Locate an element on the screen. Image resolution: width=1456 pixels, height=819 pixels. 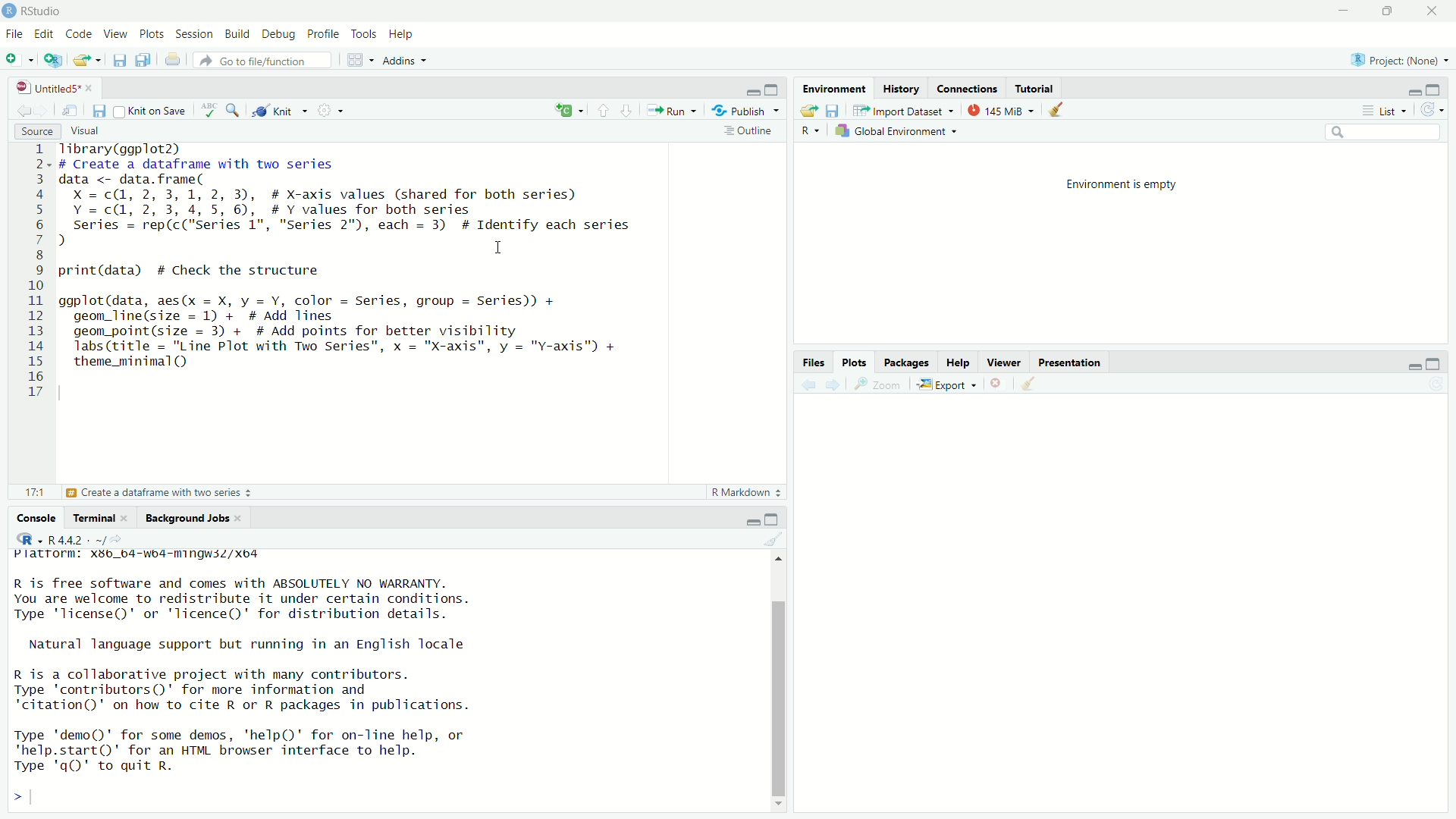
Maximize is located at coordinates (773, 89).